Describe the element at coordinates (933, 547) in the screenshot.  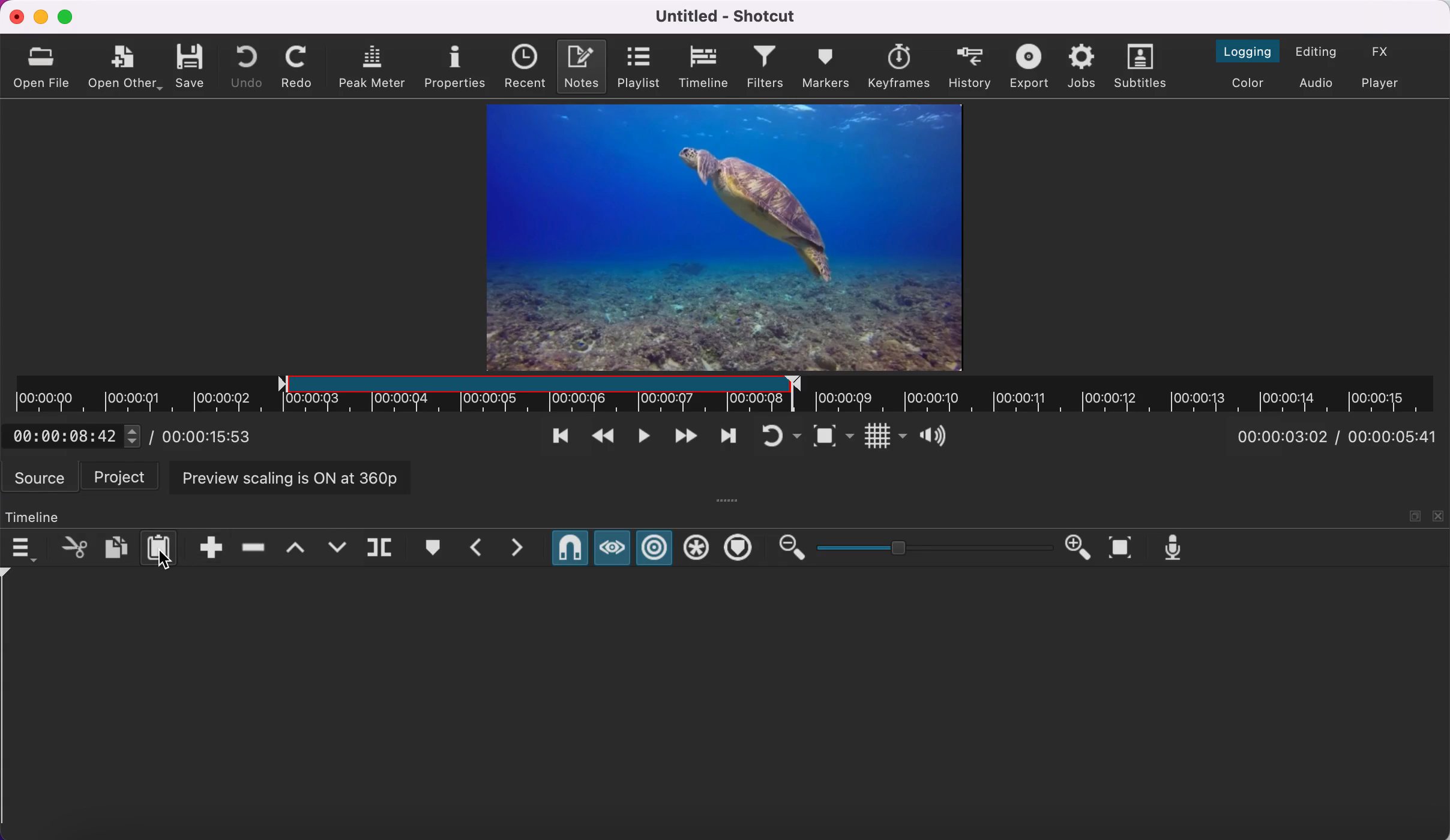
I see `zoom graduation` at that location.